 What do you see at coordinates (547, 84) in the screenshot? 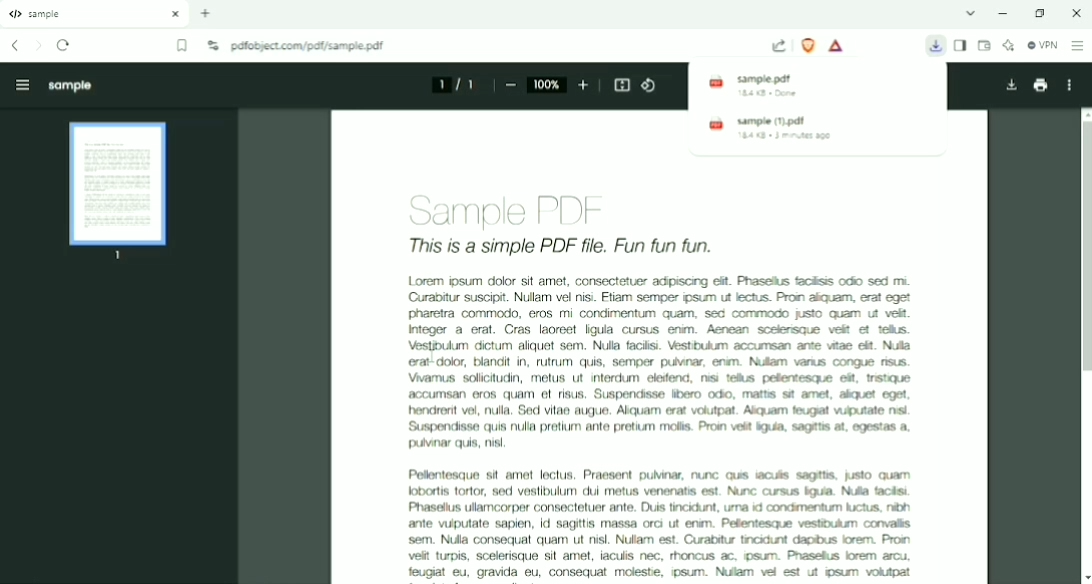
I see `Zoom Percentage` at bounding box center [547, 84].